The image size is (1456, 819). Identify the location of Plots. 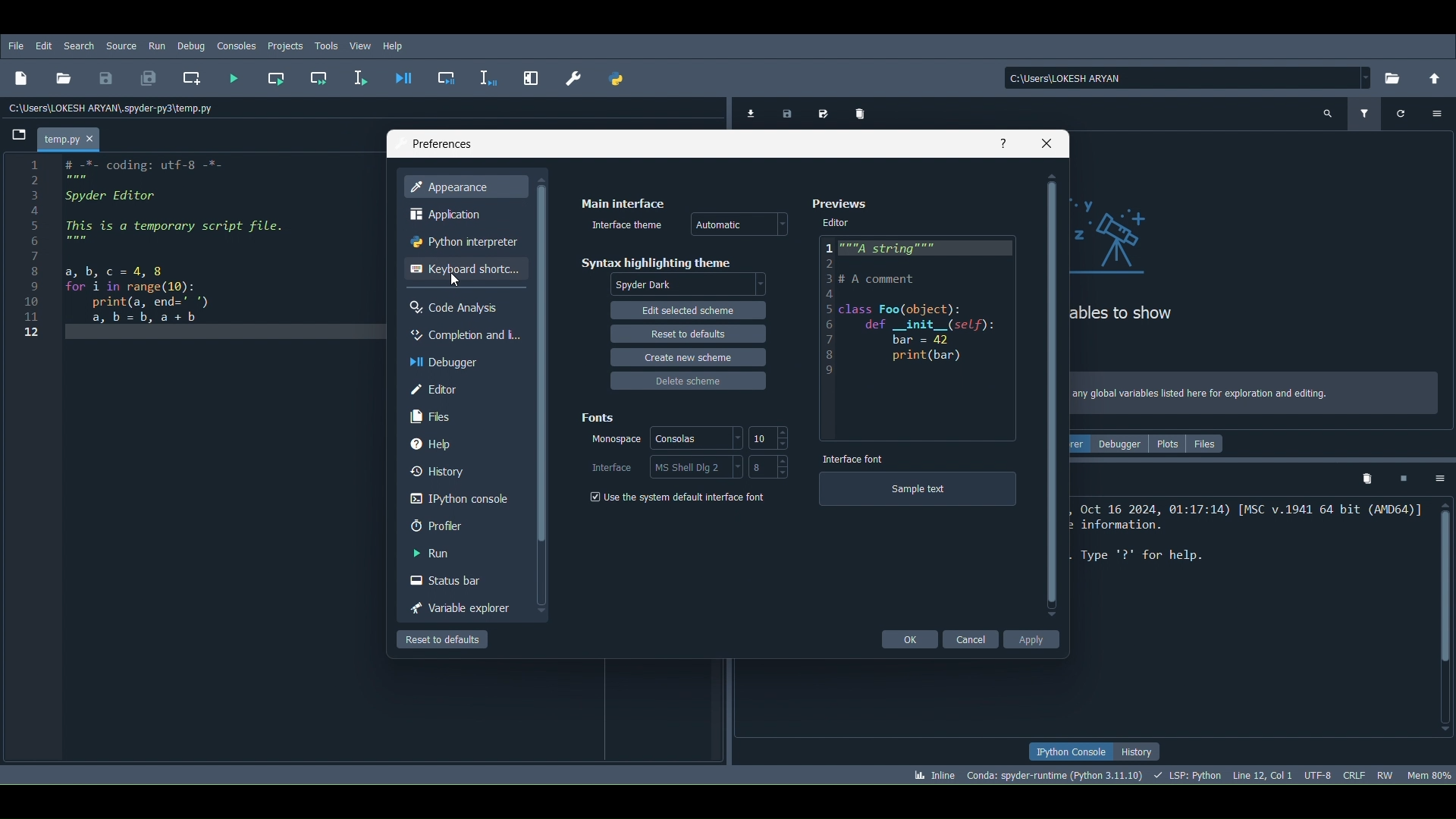
(1172, 444).